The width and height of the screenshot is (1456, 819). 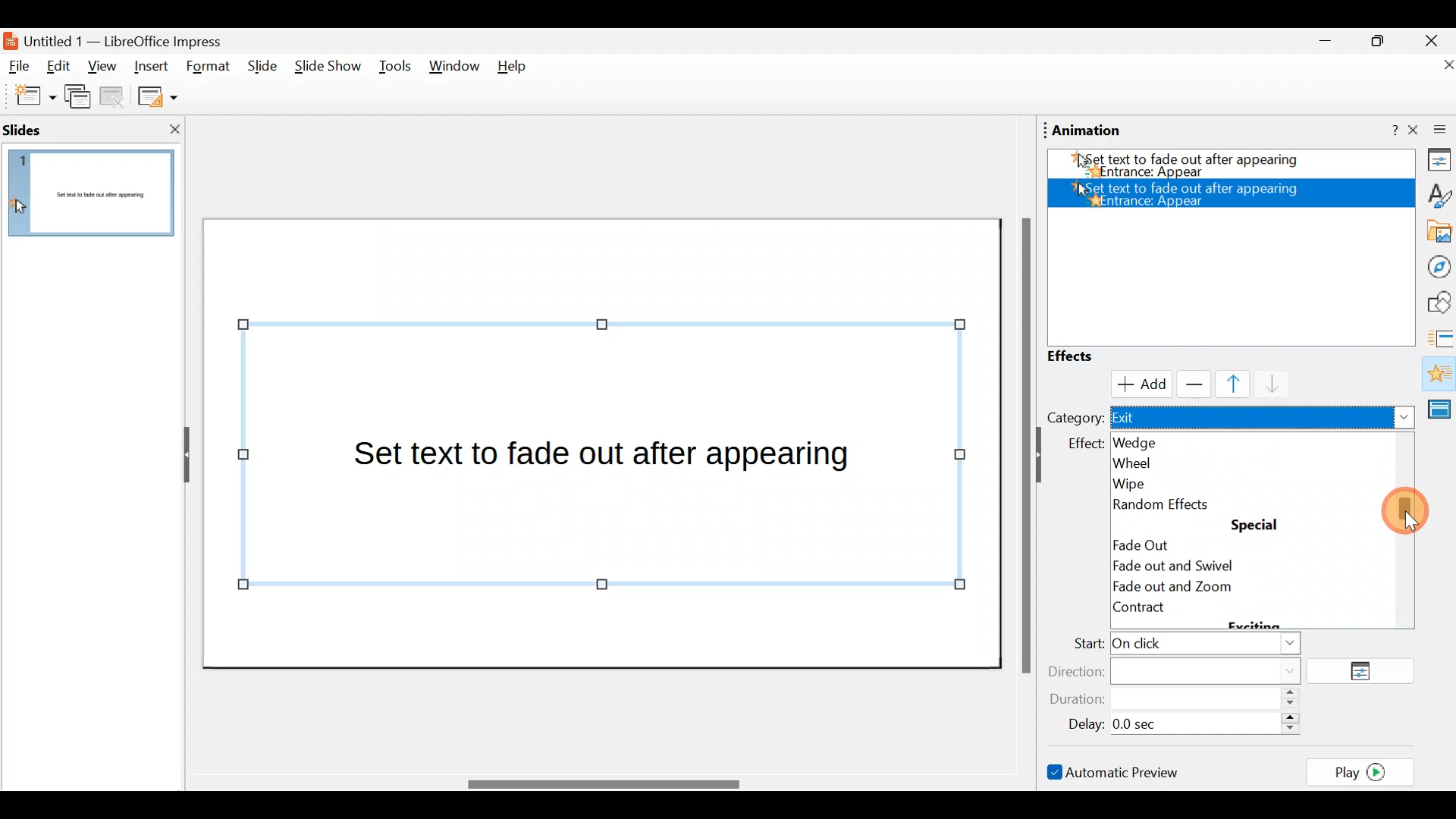 What do you see at coordinates (80, 99) in the screenshot?
I see `Duplicate slide` at bounding box center [80, 99].